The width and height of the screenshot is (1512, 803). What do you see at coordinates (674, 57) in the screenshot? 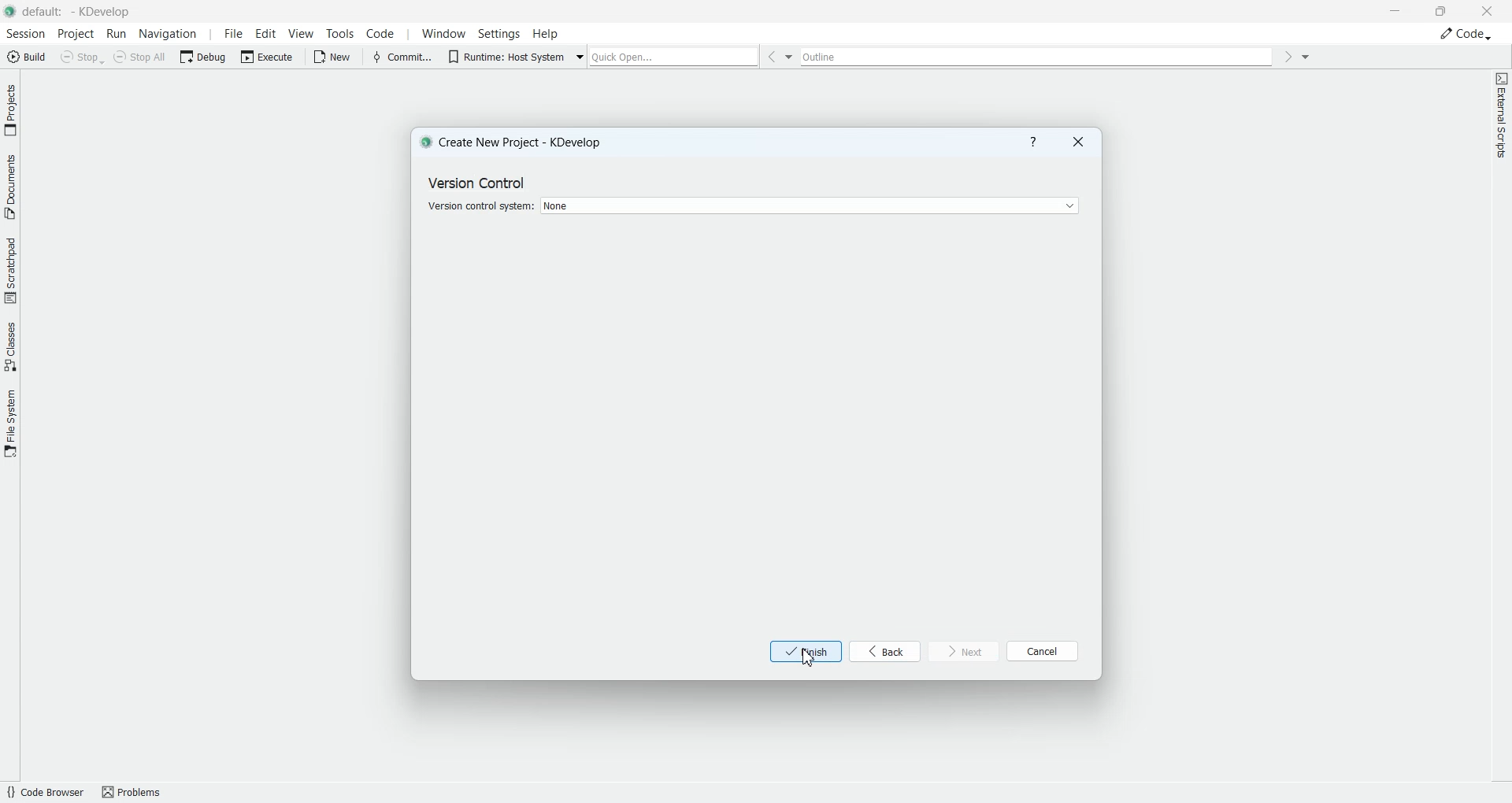
I see `Quick open ` at bounding box center [674, 57].